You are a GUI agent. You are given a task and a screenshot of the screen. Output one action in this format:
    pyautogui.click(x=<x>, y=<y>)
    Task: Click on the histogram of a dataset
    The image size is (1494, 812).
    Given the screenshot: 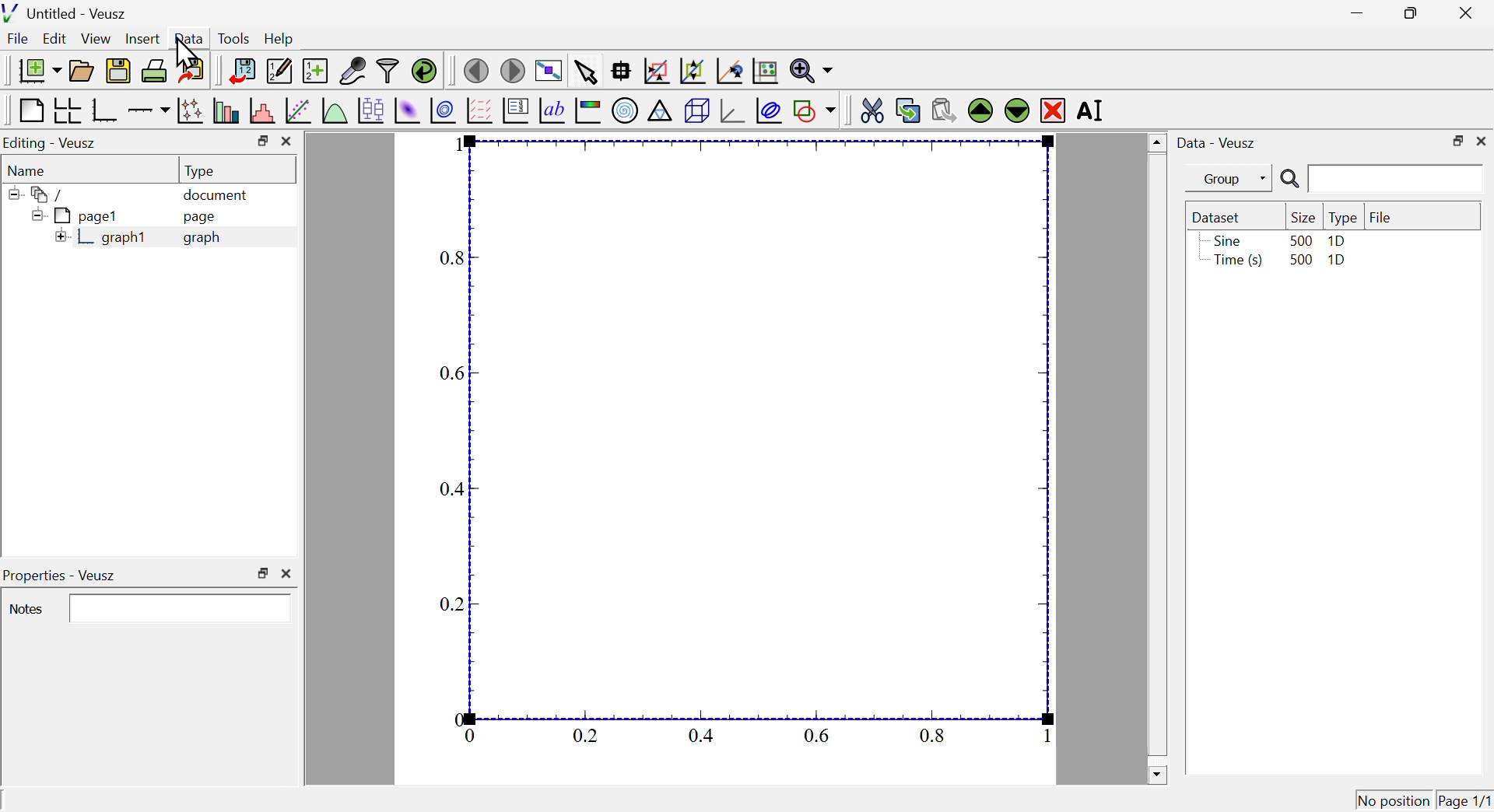 What is the action you would take?
    pyautogui.click(x=261, y=110)
    